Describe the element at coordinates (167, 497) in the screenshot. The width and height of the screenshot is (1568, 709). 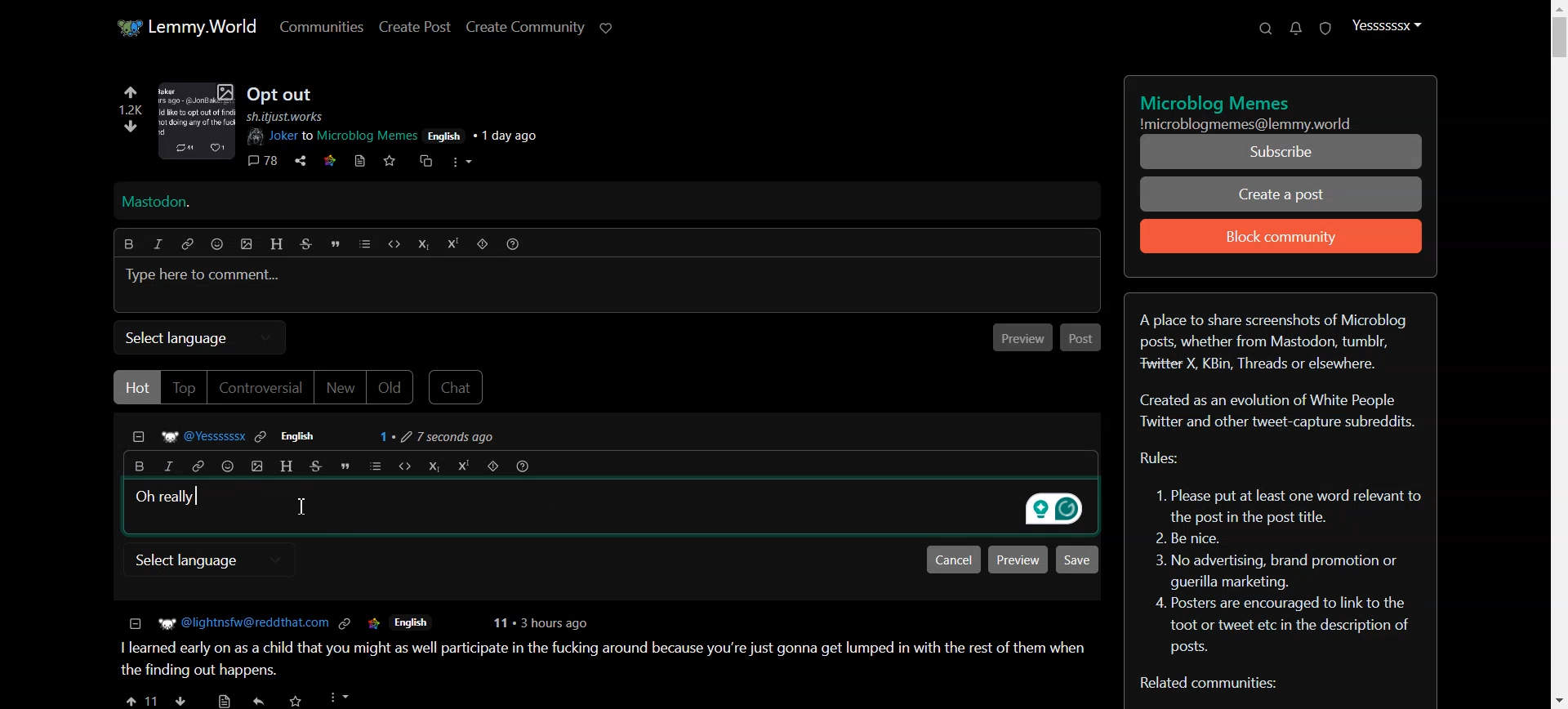
I see `Text` at that location.